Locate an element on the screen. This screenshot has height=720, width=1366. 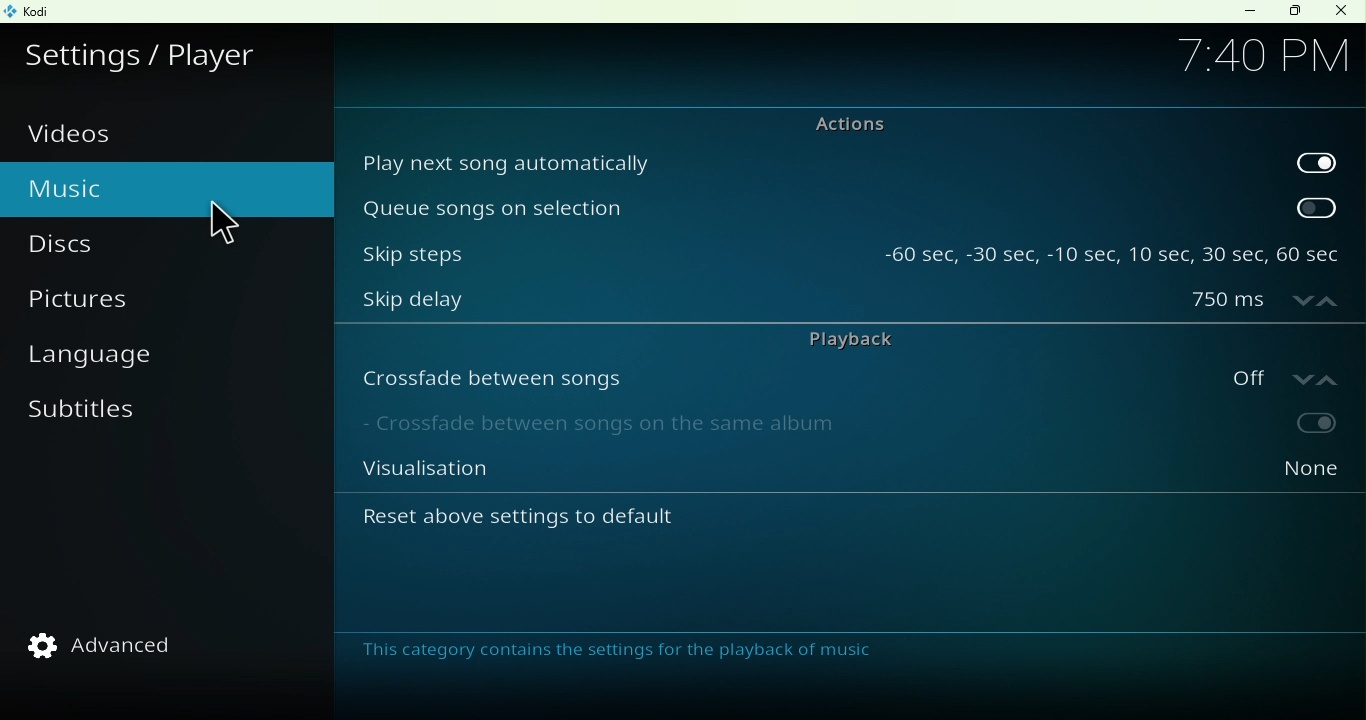
Playback is located at coordinates (846, 337).